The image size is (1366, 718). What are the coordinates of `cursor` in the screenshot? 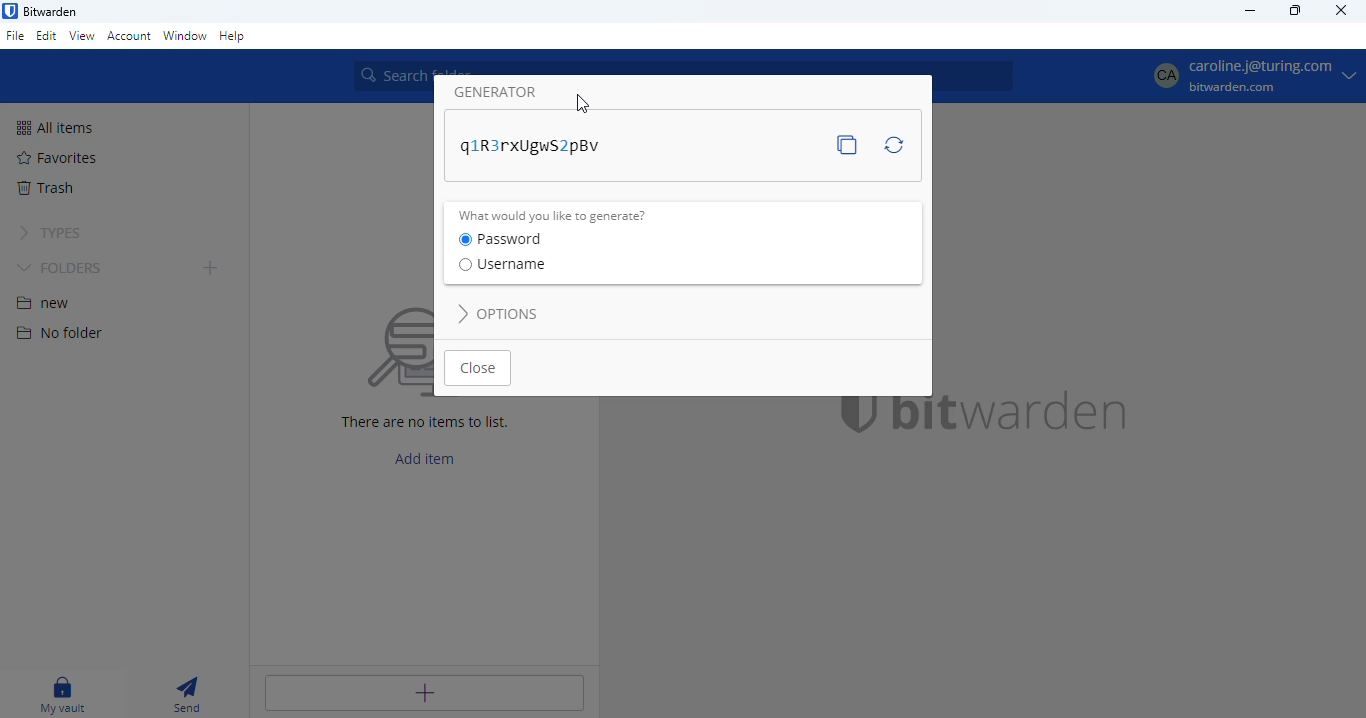 It's located at (583, 104).